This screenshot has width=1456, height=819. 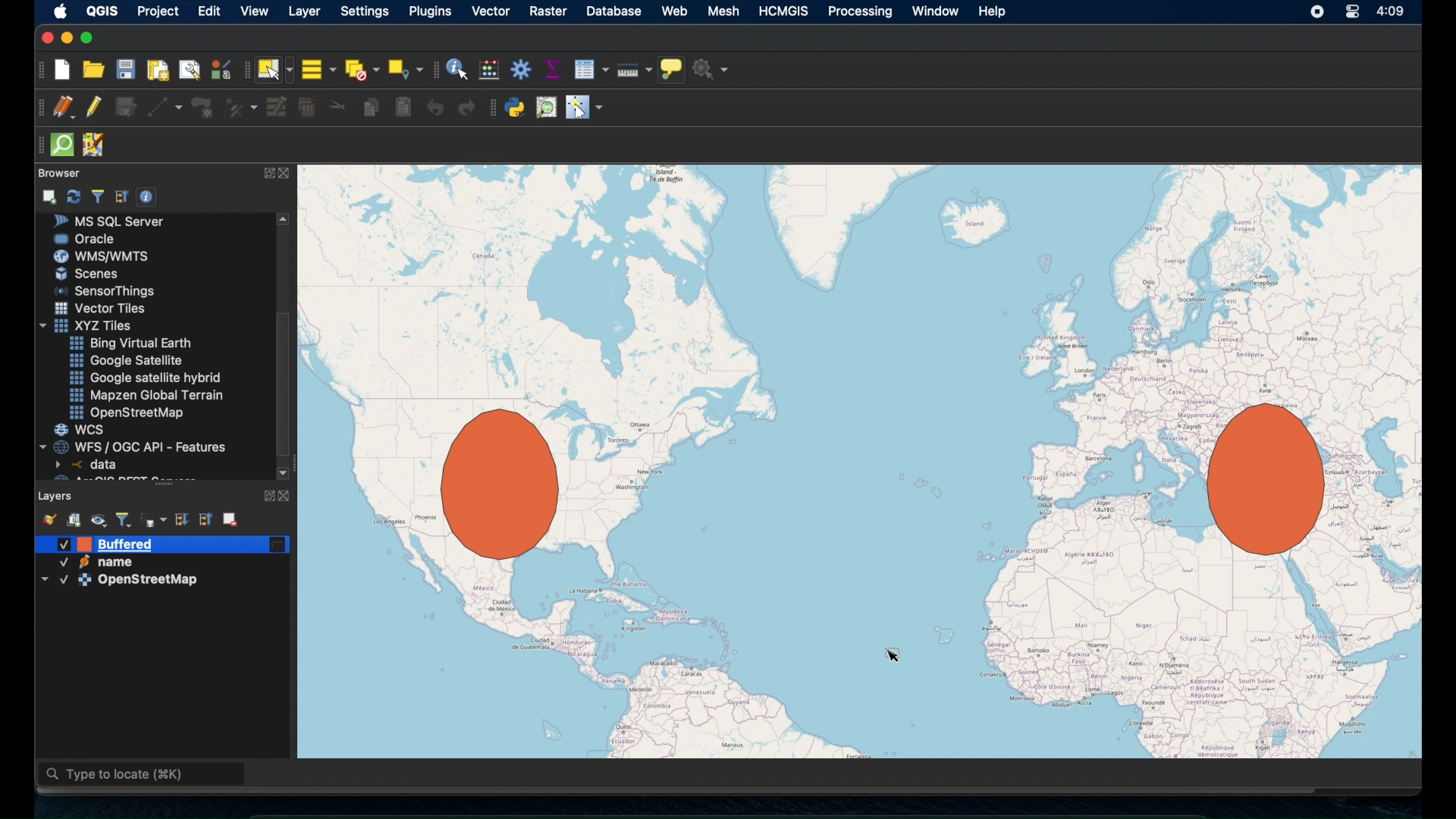 What do you see at coordinates (591, 67) in the screenshot?
I see `open attributes table` at bounding box center [591, 67].